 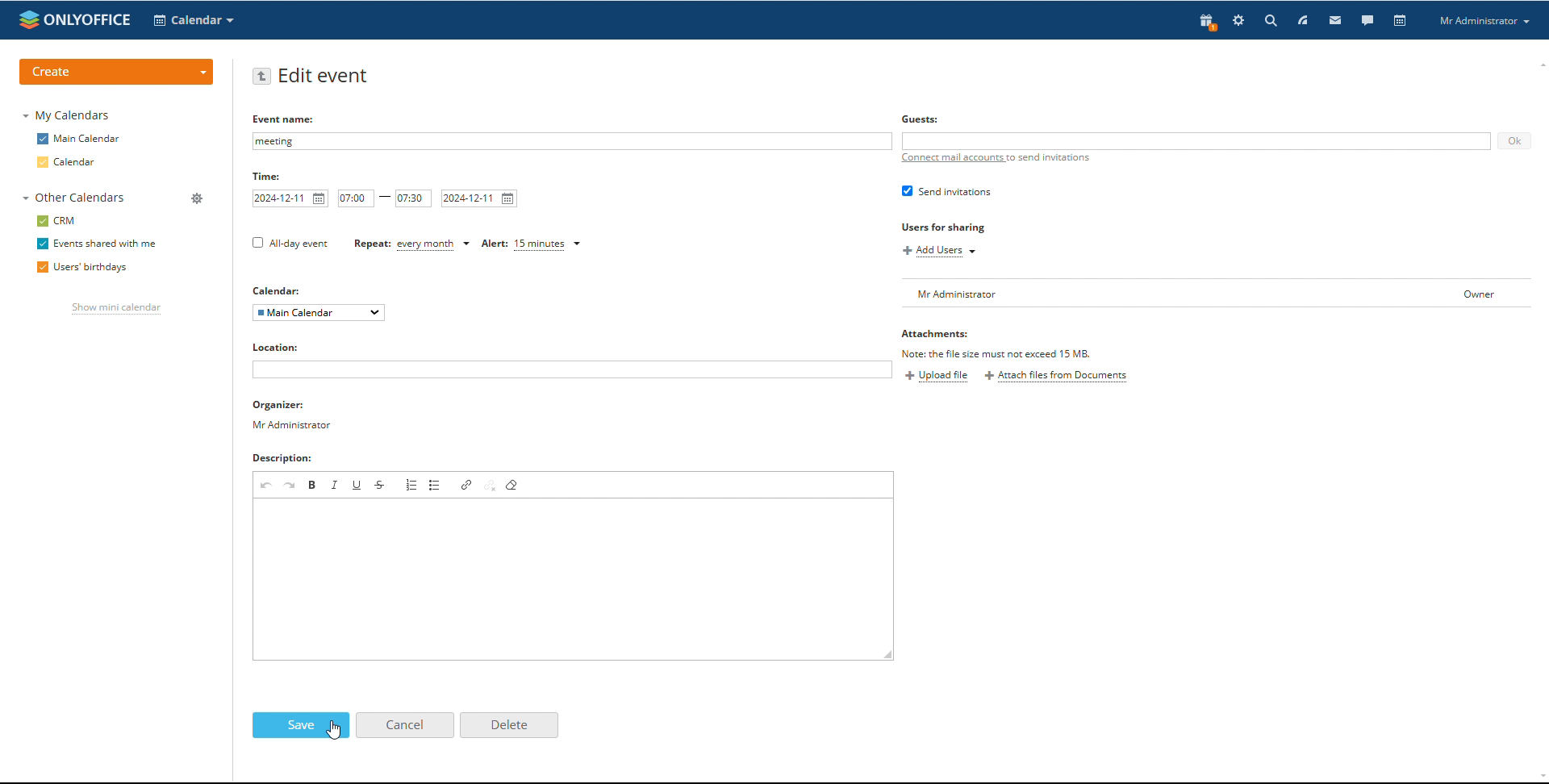 I want to click on logo, so click(x=73, y=19).